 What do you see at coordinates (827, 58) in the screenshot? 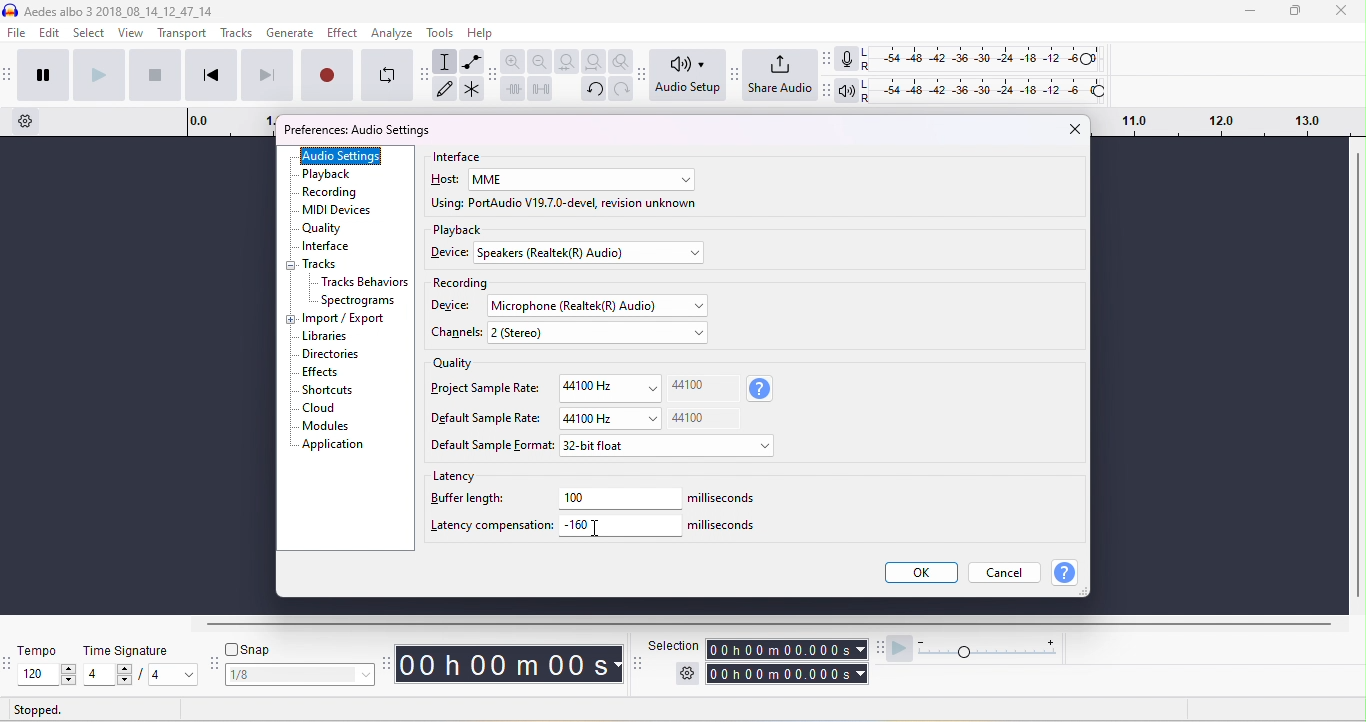
I see `audacity audio meter toolbar` at bounding box center [827, 58].